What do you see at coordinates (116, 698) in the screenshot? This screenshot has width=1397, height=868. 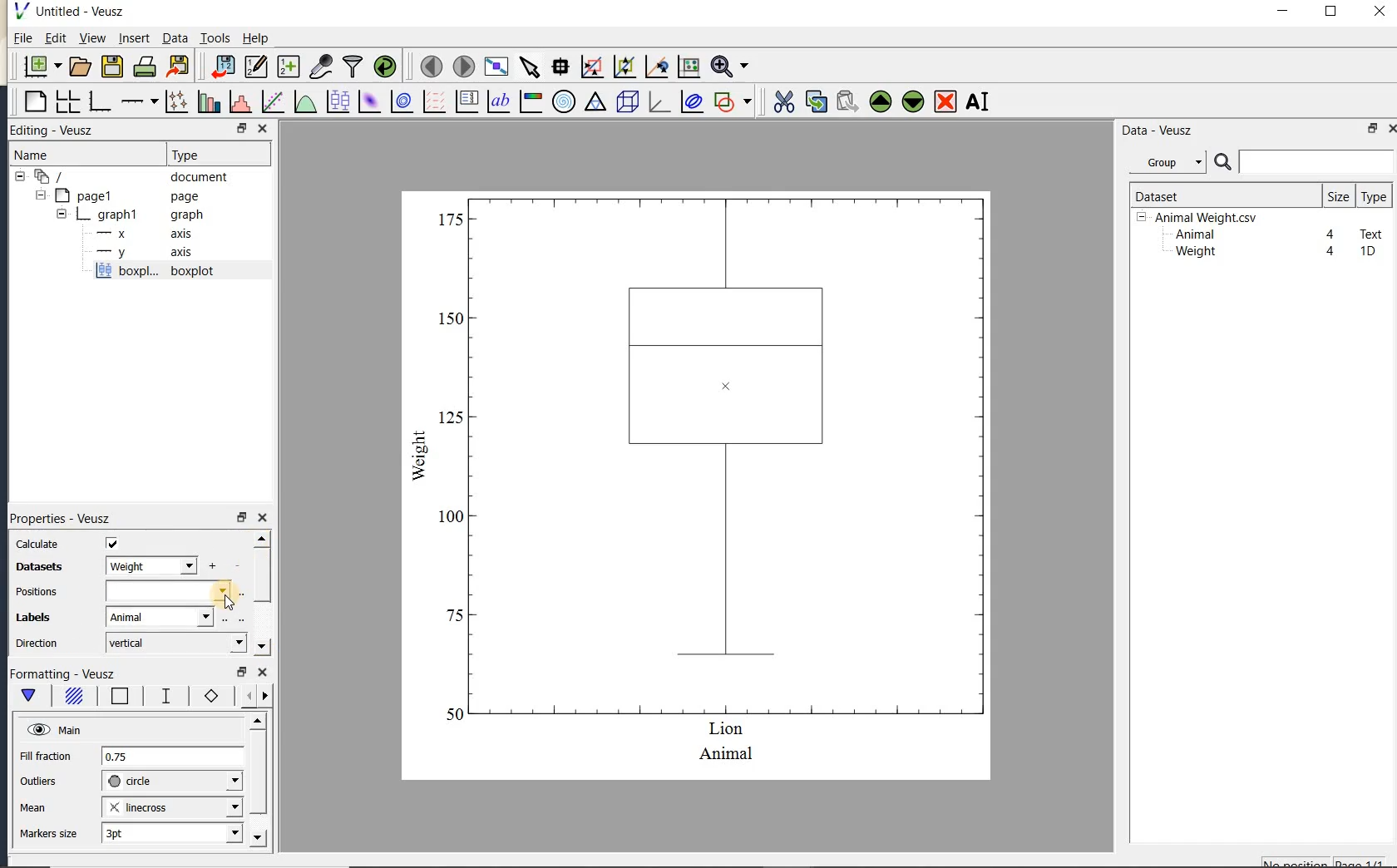 I see `box border` at bounding box center [116, 698].